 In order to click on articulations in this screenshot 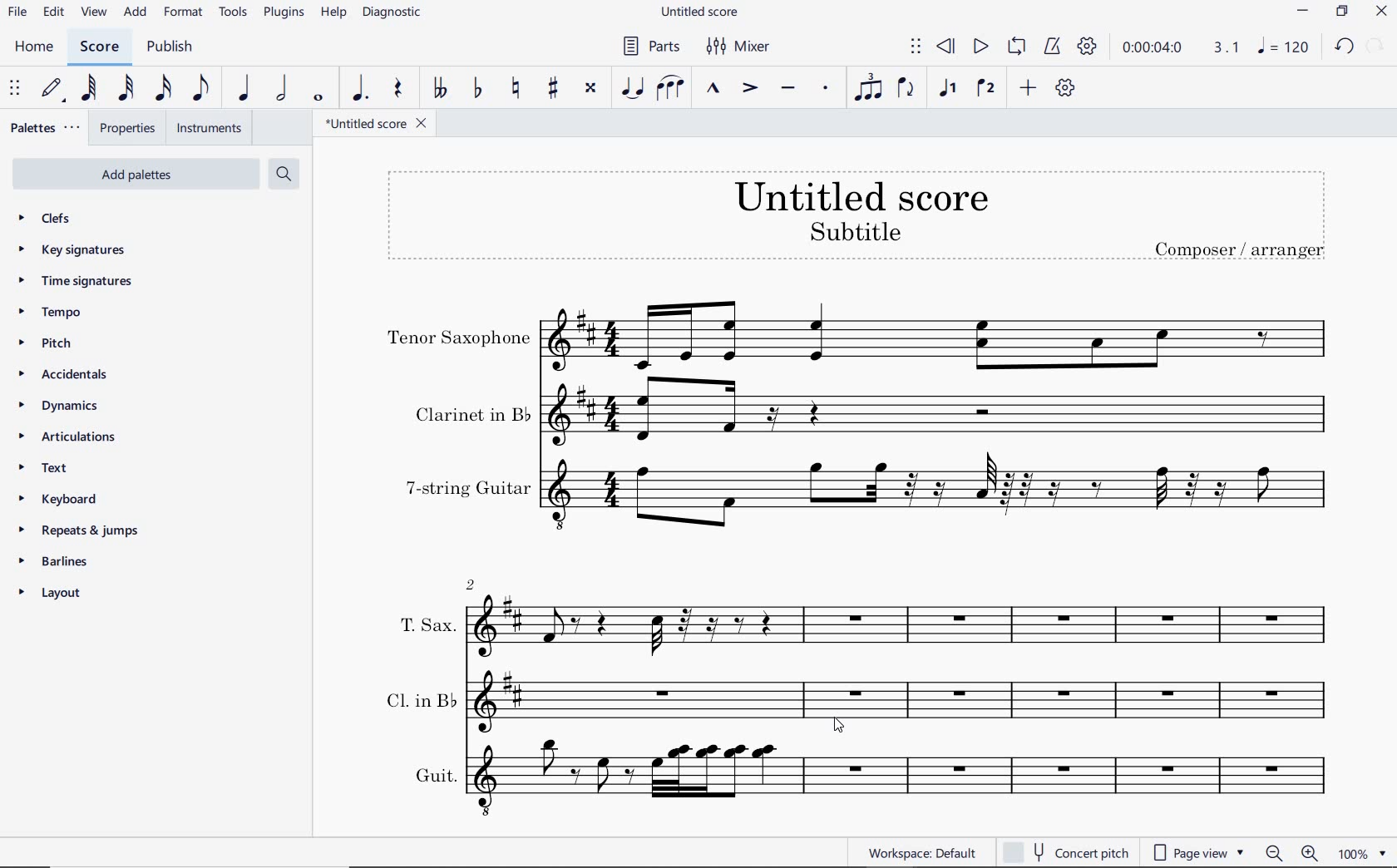, I will do `click(71, 437)`.